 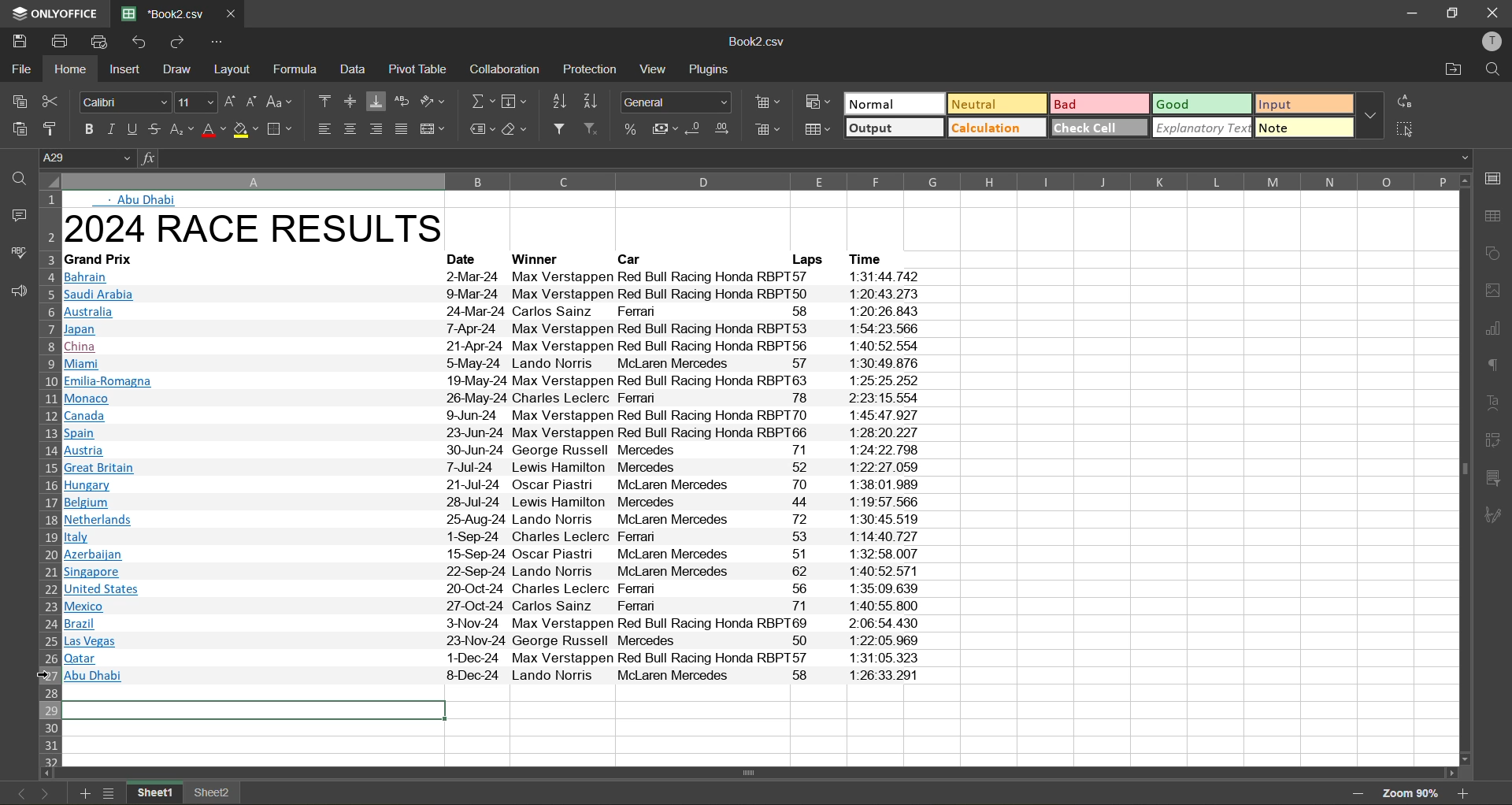 I want to click on column names, so click(x=757, y=181).